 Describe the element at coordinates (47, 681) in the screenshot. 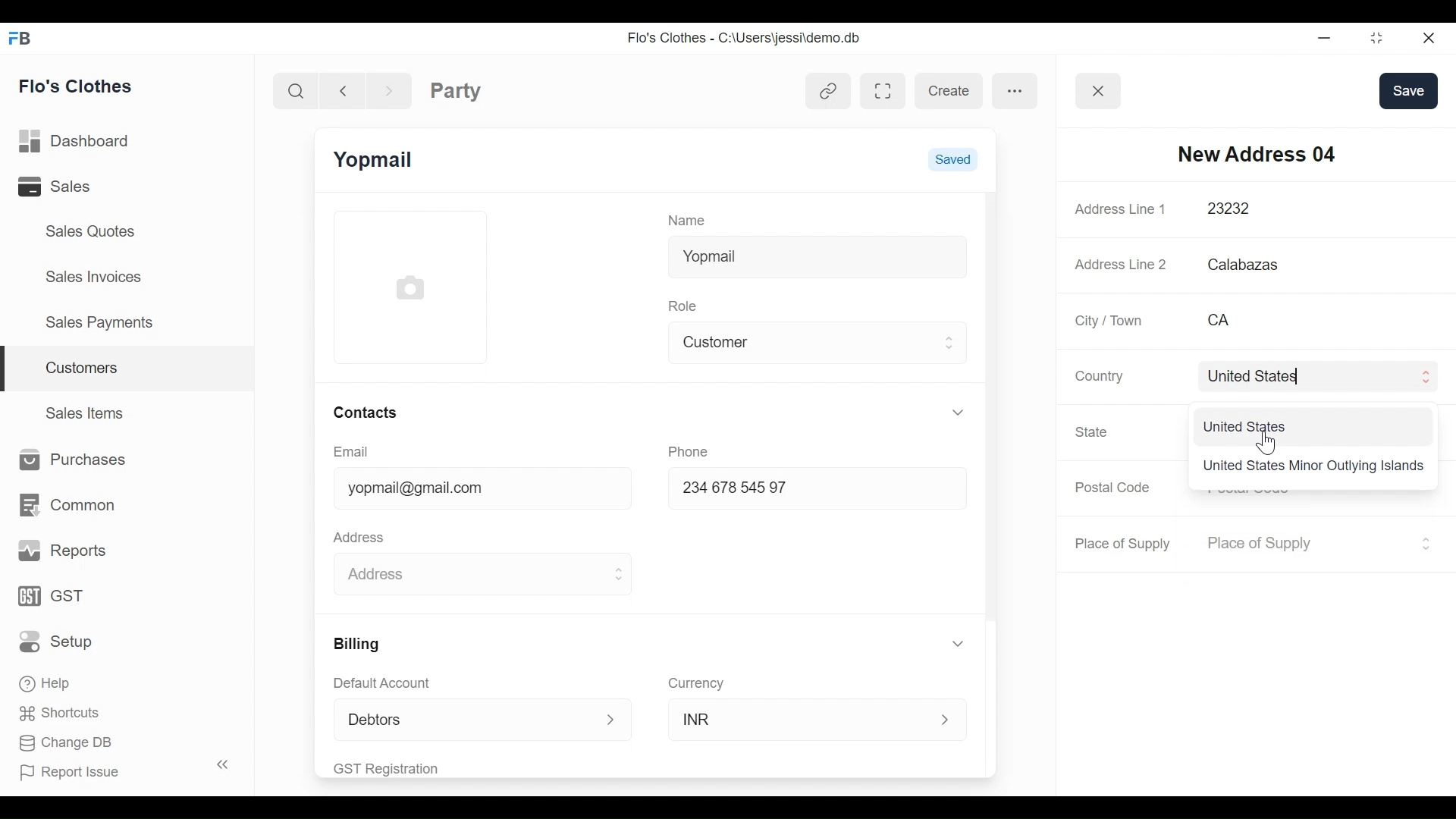

I see `Help` at that location.